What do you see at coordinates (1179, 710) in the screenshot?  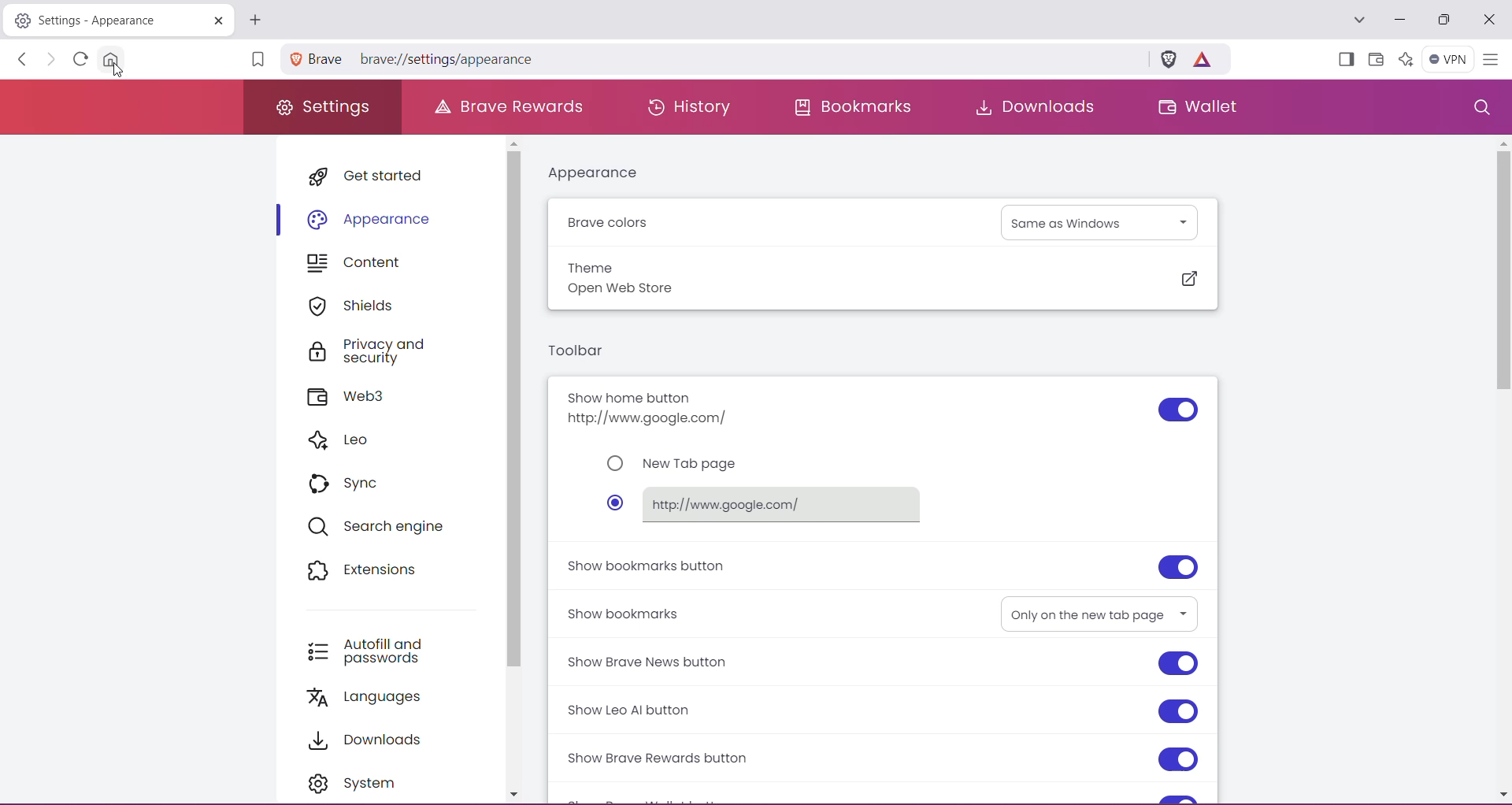 I see `Click to Show Leo AI button` at bounding box center [1179, 710].